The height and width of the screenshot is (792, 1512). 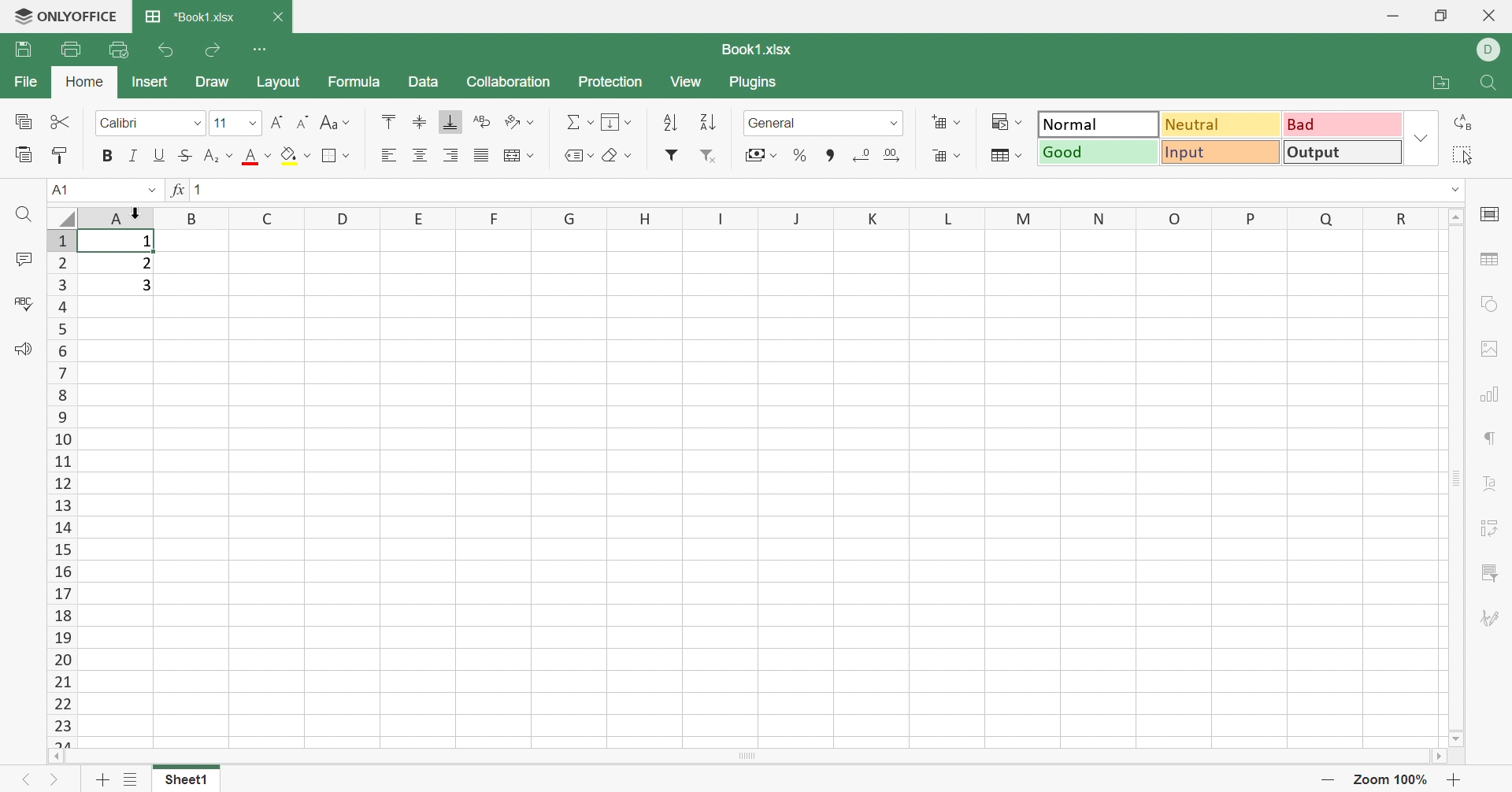 What do you see at coordinates (1455, 217) in the screenshot?
I see `Scroll up` at bounding box center [1455, 217].